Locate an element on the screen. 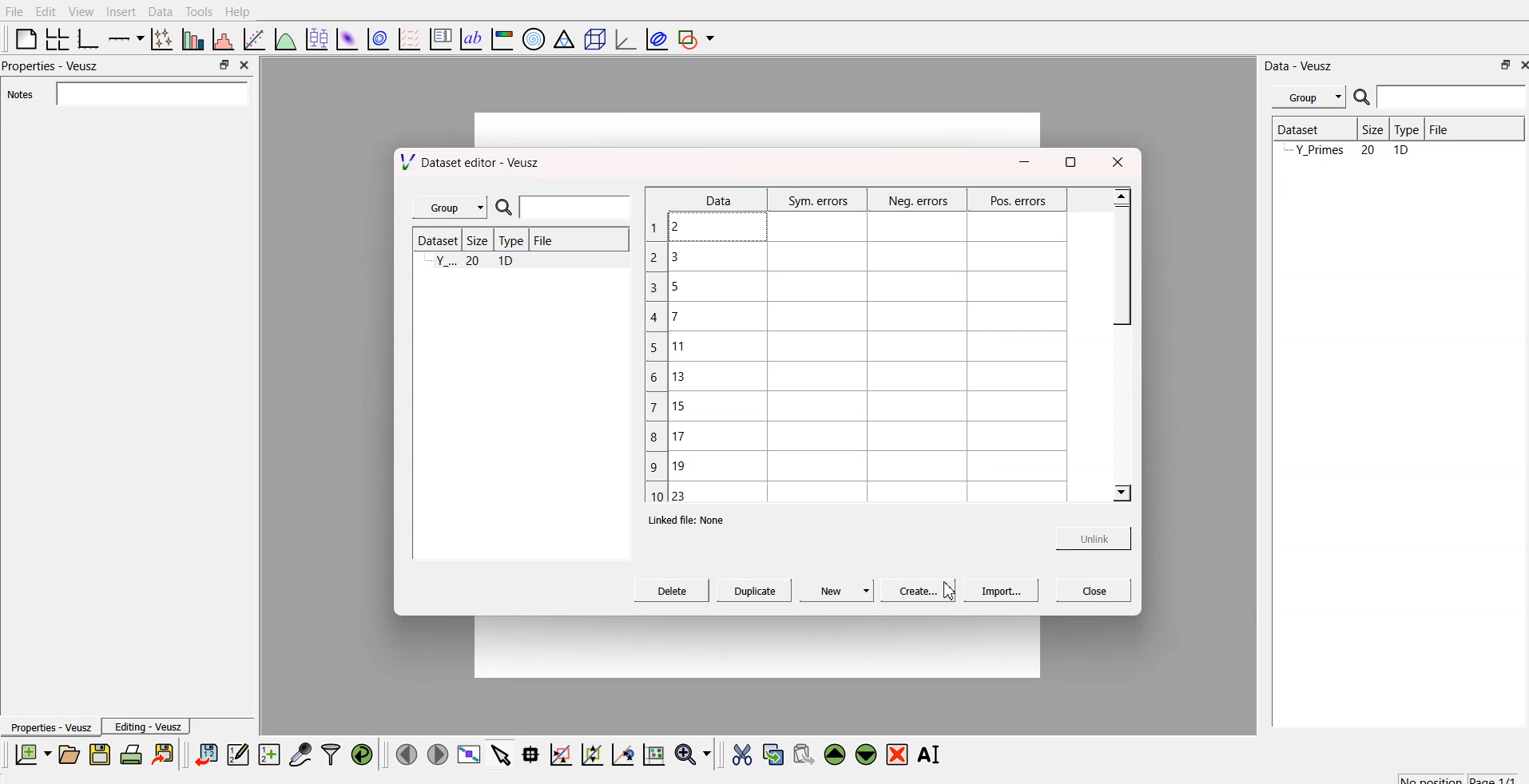  move down the widget  is located at coordinates (864, 754).